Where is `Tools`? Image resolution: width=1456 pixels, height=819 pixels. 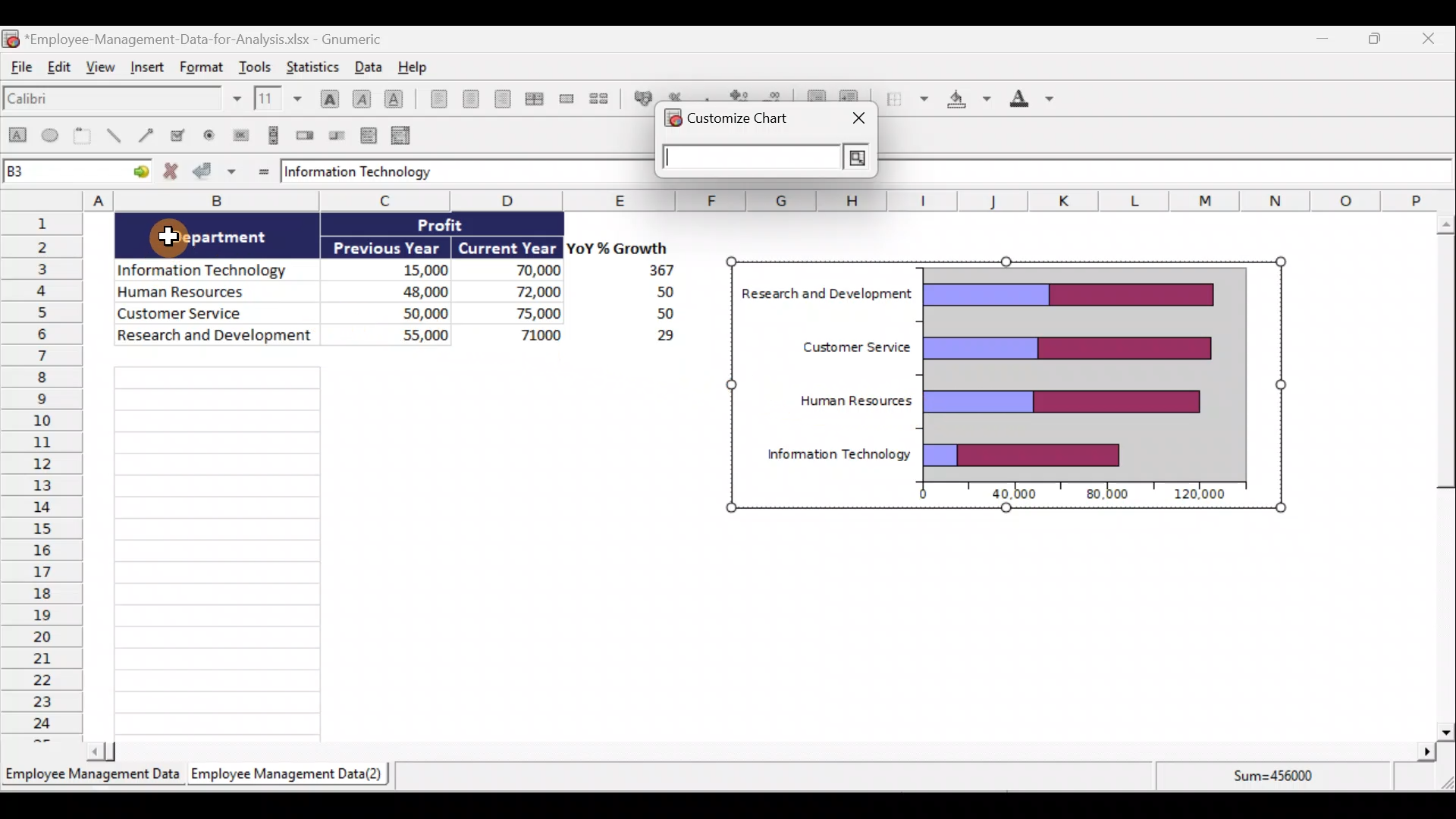
Tools is located at coordinates (256, 64).